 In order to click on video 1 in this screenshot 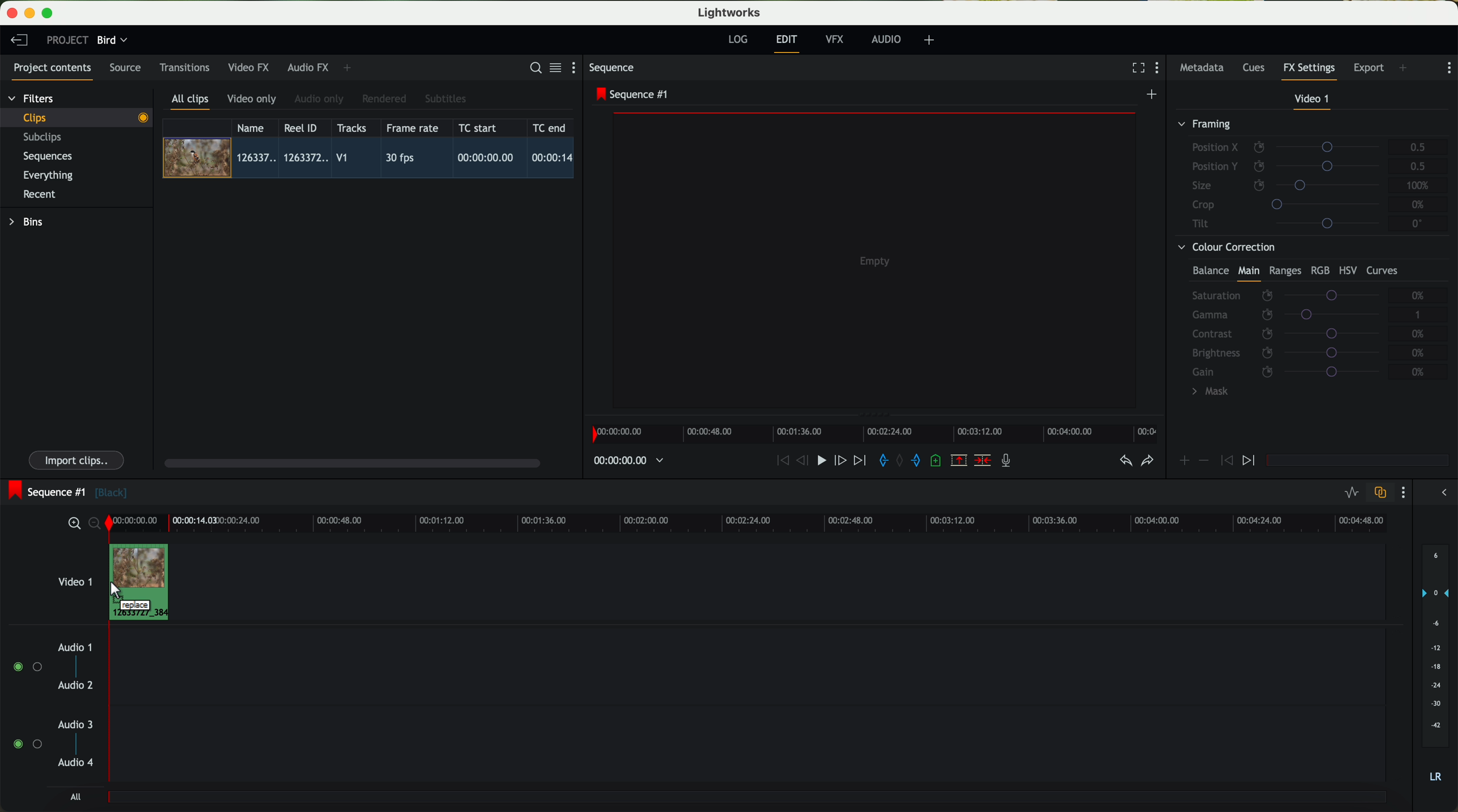, I will do `click(73, 581)`.